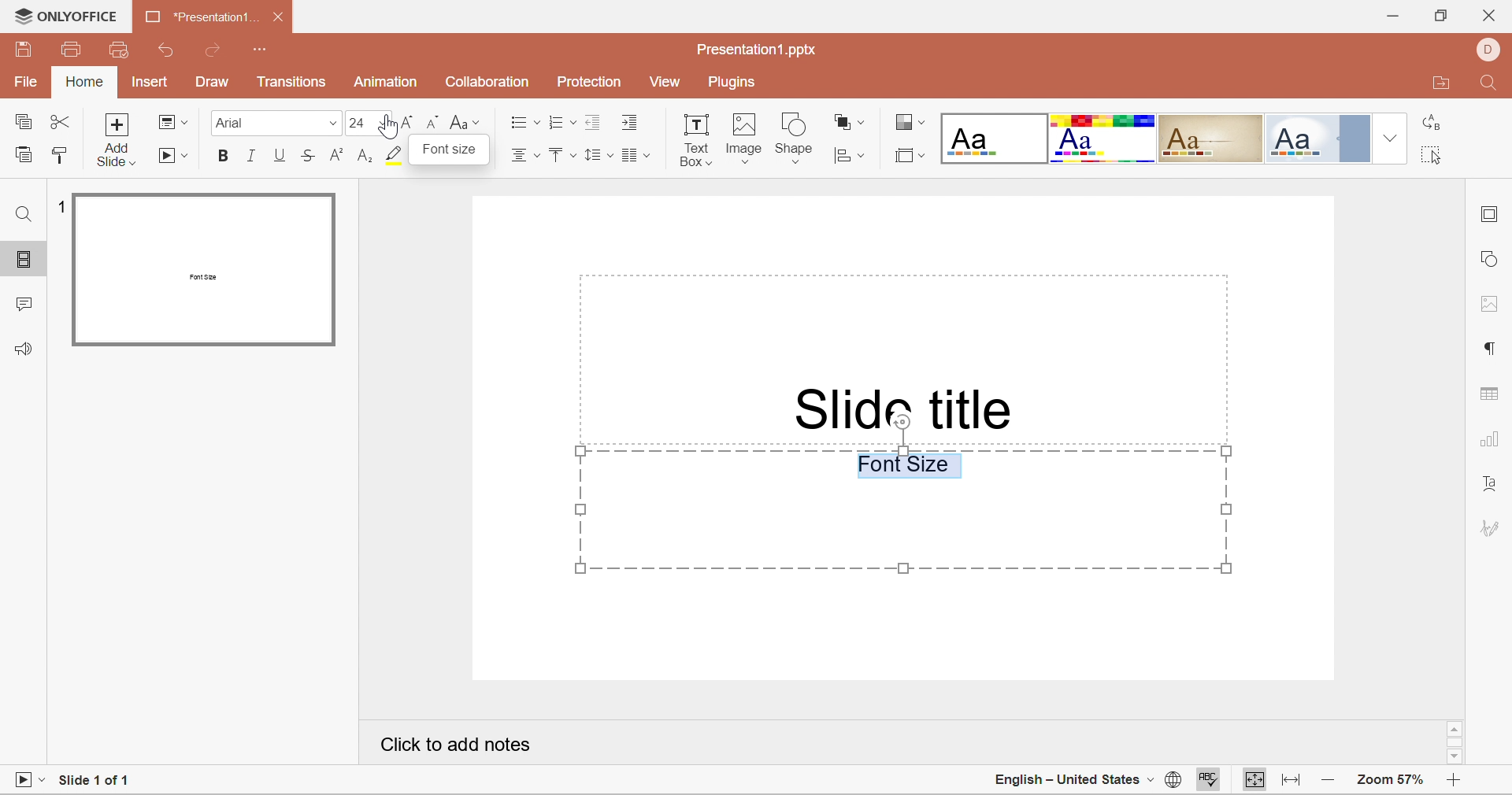 This screenshot has height=795, width=1512. I want to click on Select slide size, so click(910, 155).